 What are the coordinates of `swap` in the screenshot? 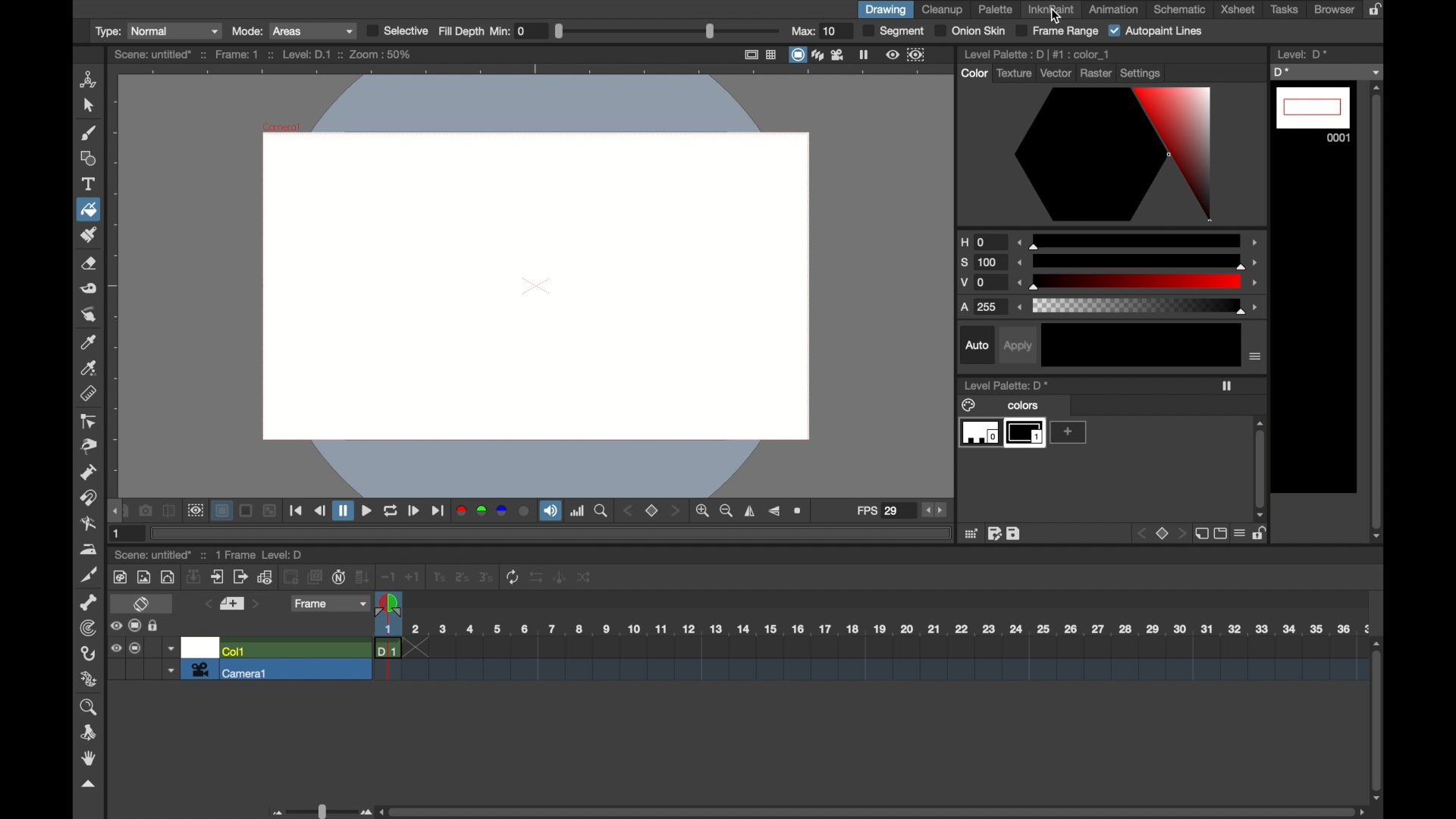 It's located at (537, 578).